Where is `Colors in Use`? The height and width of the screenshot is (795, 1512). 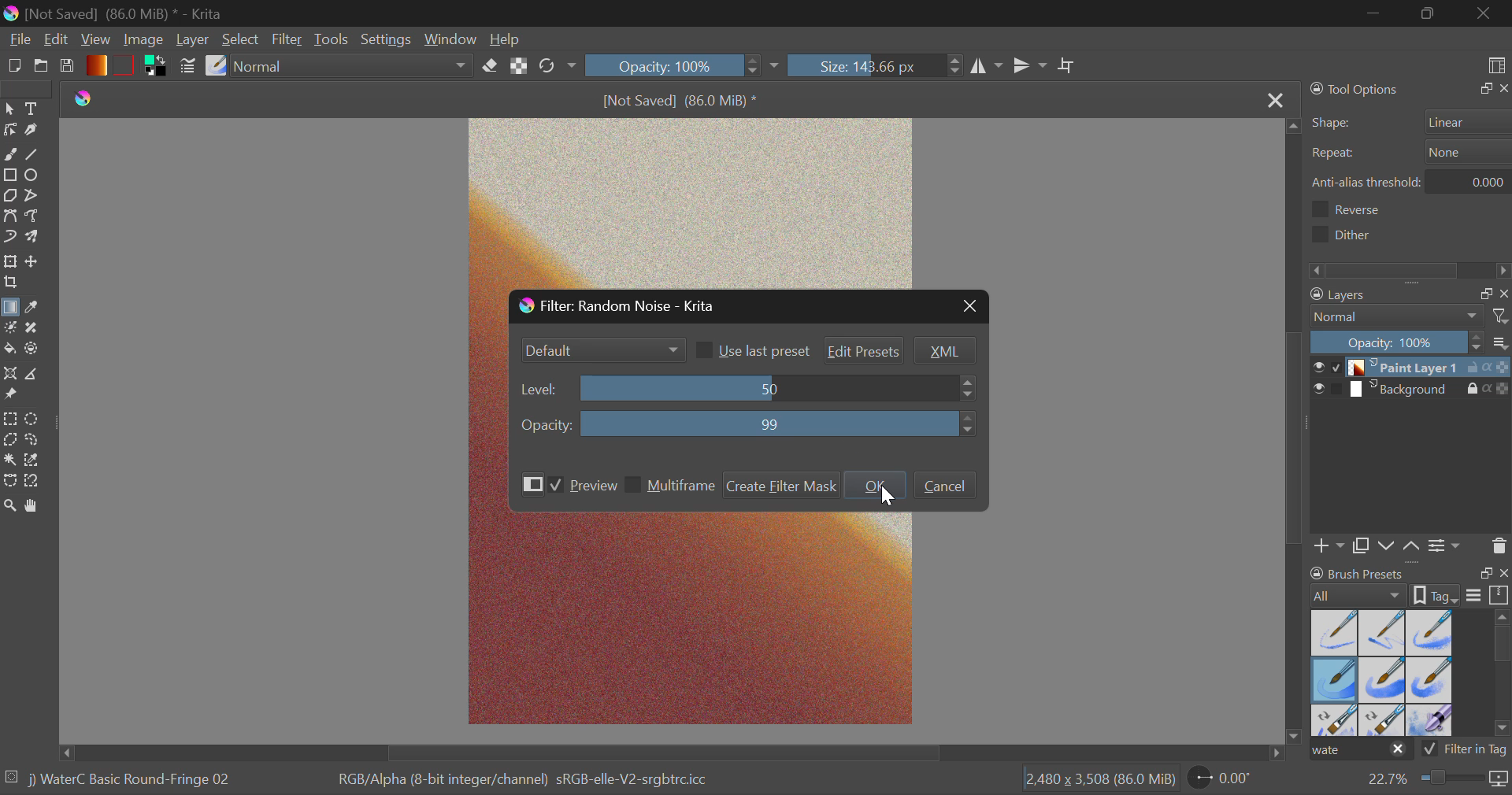
Colors in Use is located at coordinates (159, 67).